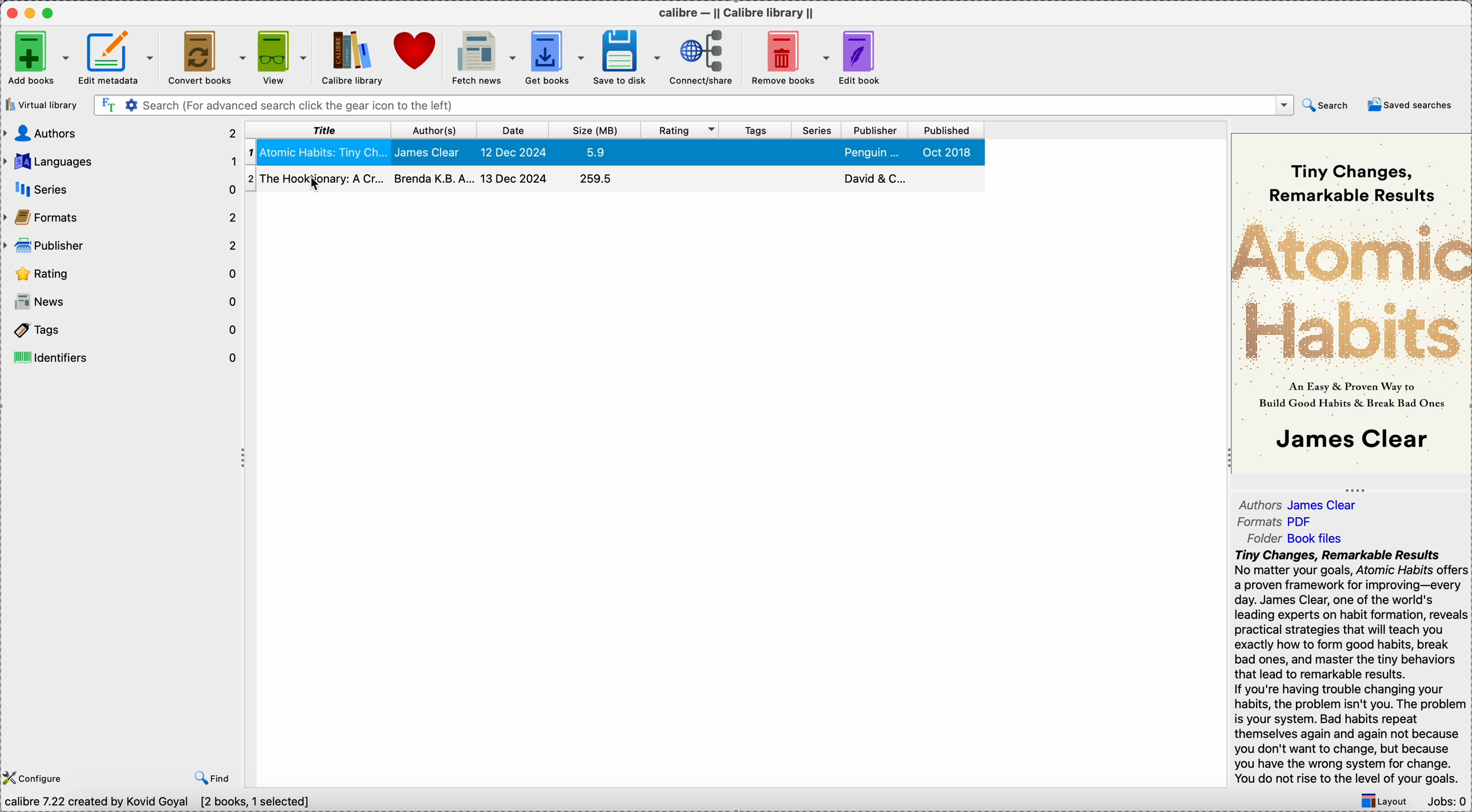 The image size is (1472, 812). I want to click on convert books, so click(210, 58).